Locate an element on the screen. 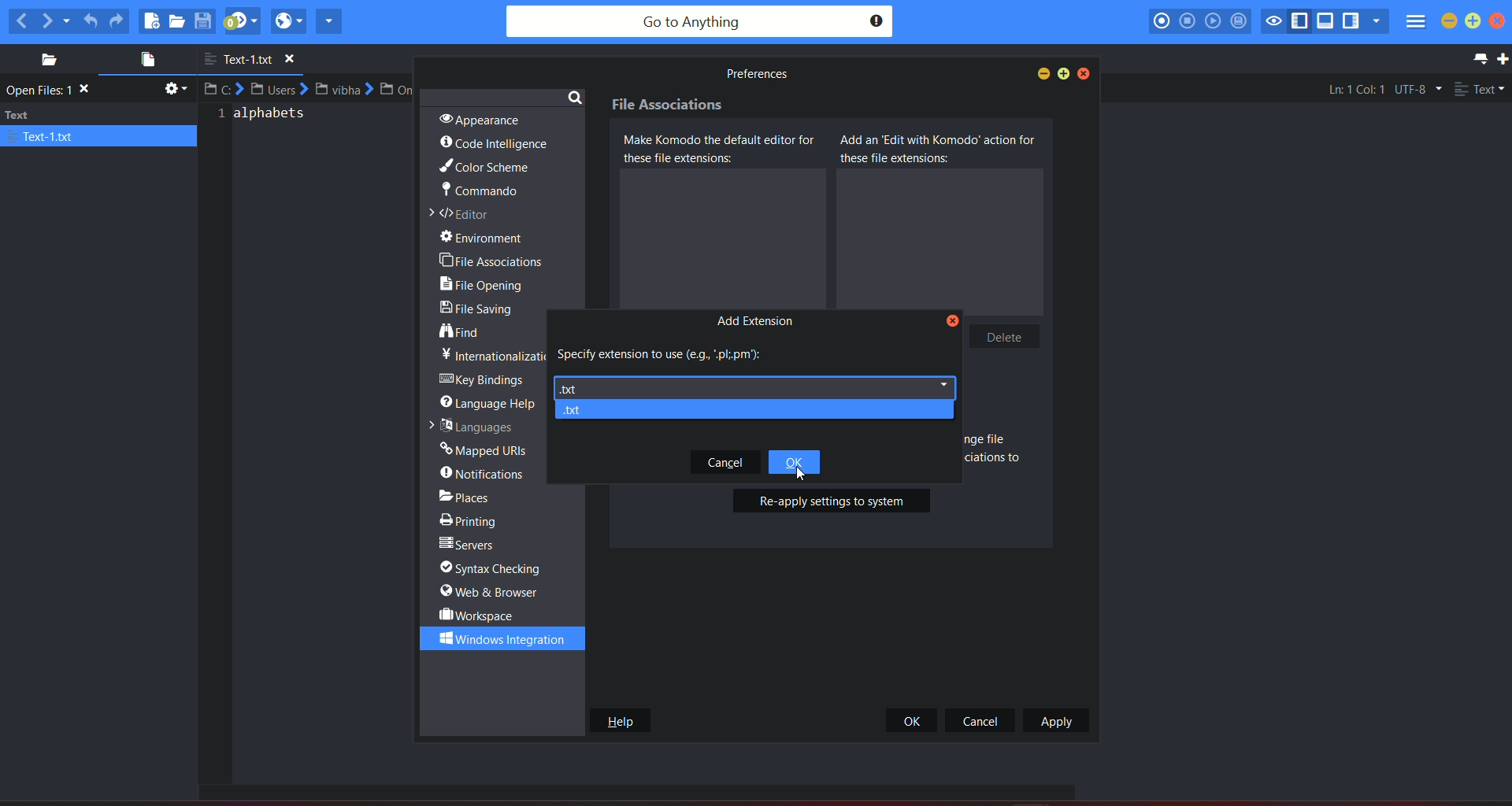 This screenshot has width=1512, height=806. new file is located at coordinates (151, 20).